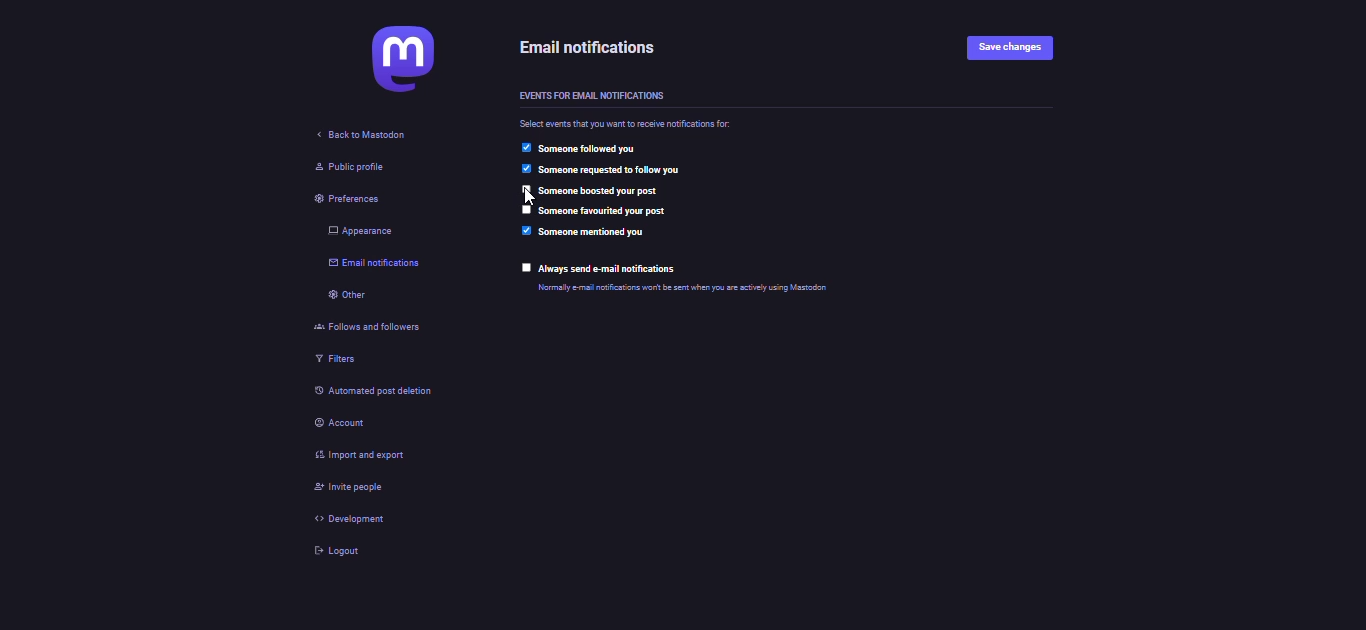 This screenshot has width=1366, height=630. I want to click on automated post deletion, so click(383, 393).